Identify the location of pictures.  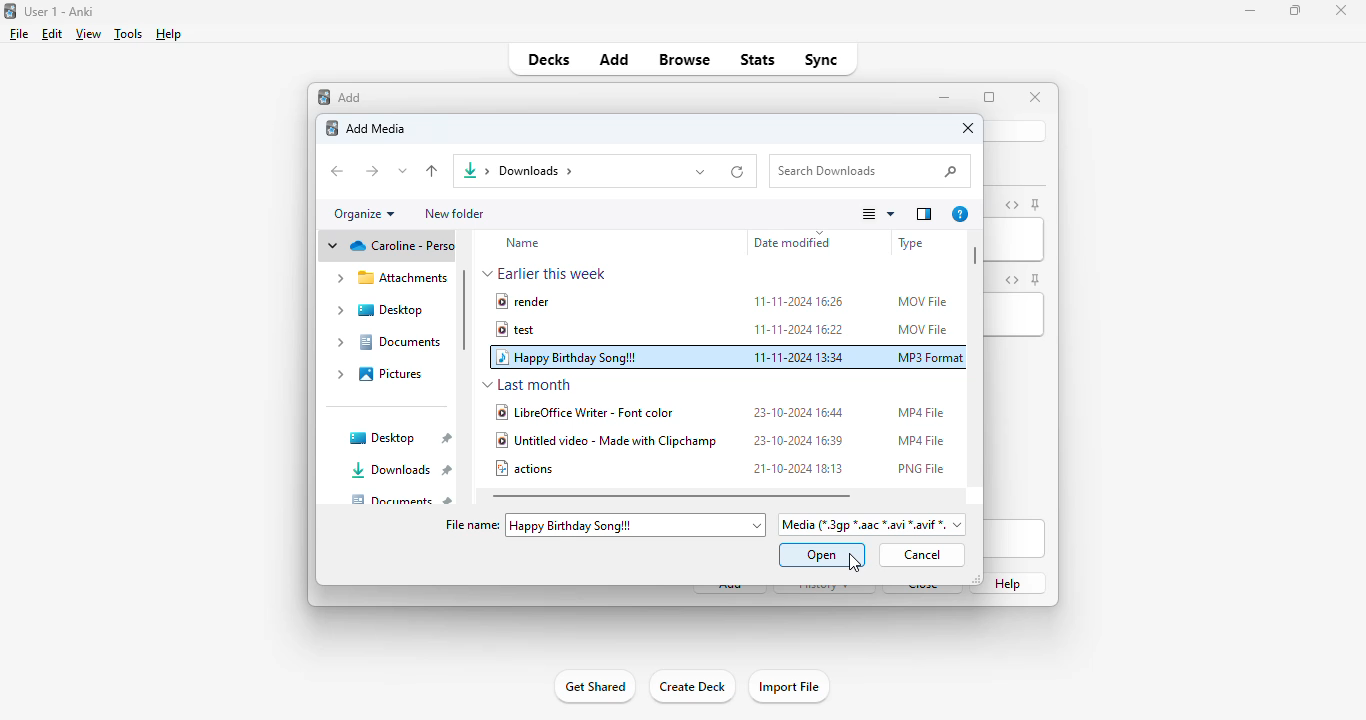
(378, 374).